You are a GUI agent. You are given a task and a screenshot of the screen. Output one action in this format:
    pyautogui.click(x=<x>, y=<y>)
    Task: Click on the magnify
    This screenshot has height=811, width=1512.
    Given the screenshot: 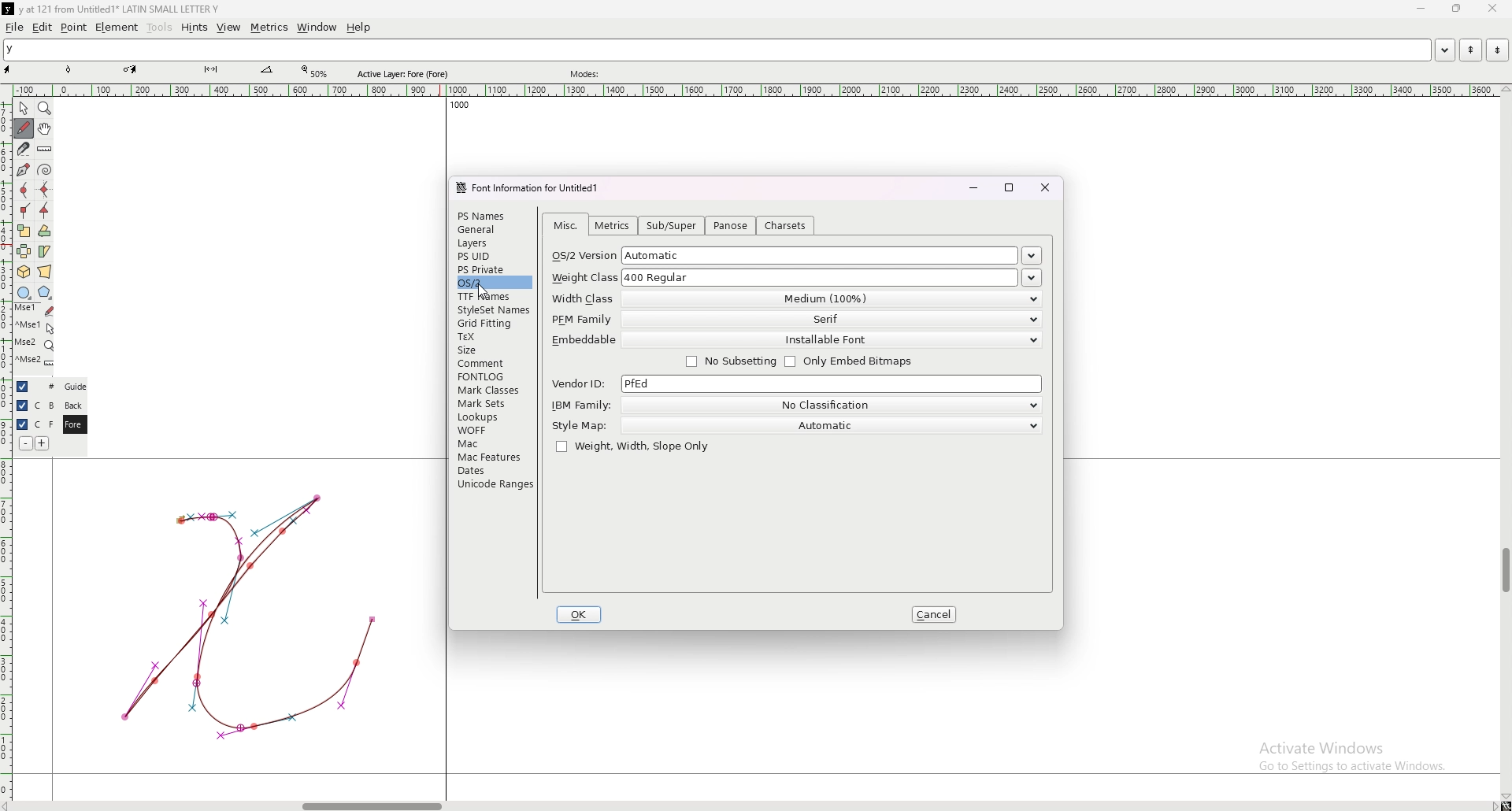 What is the action you would take?
    pyautogui.click(x=45, y=108)
    